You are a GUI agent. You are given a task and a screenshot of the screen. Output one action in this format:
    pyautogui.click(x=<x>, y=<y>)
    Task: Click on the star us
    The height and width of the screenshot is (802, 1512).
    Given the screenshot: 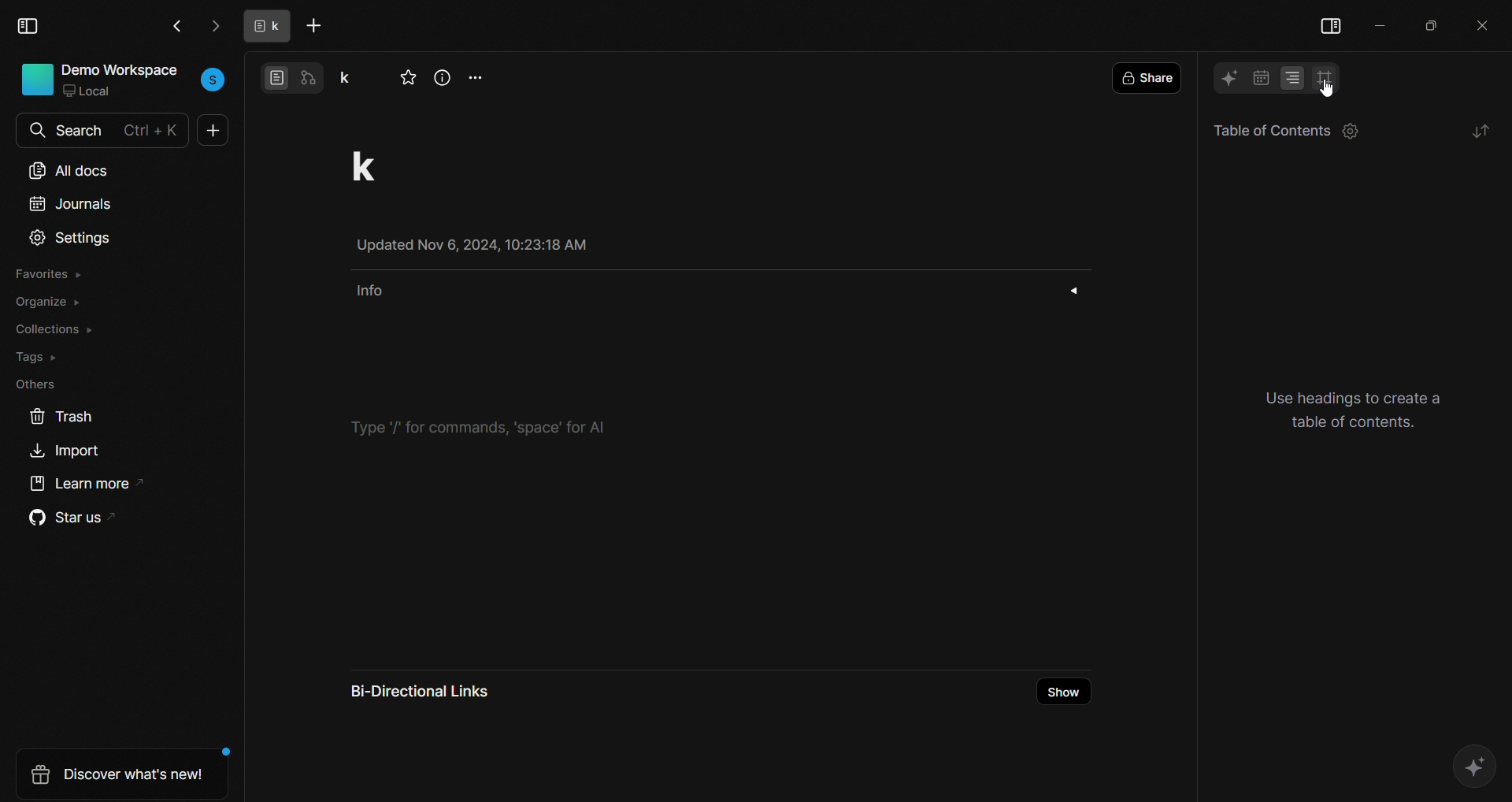 What is the action you would take?
    pyautogui.click(x=66, y=520)
    